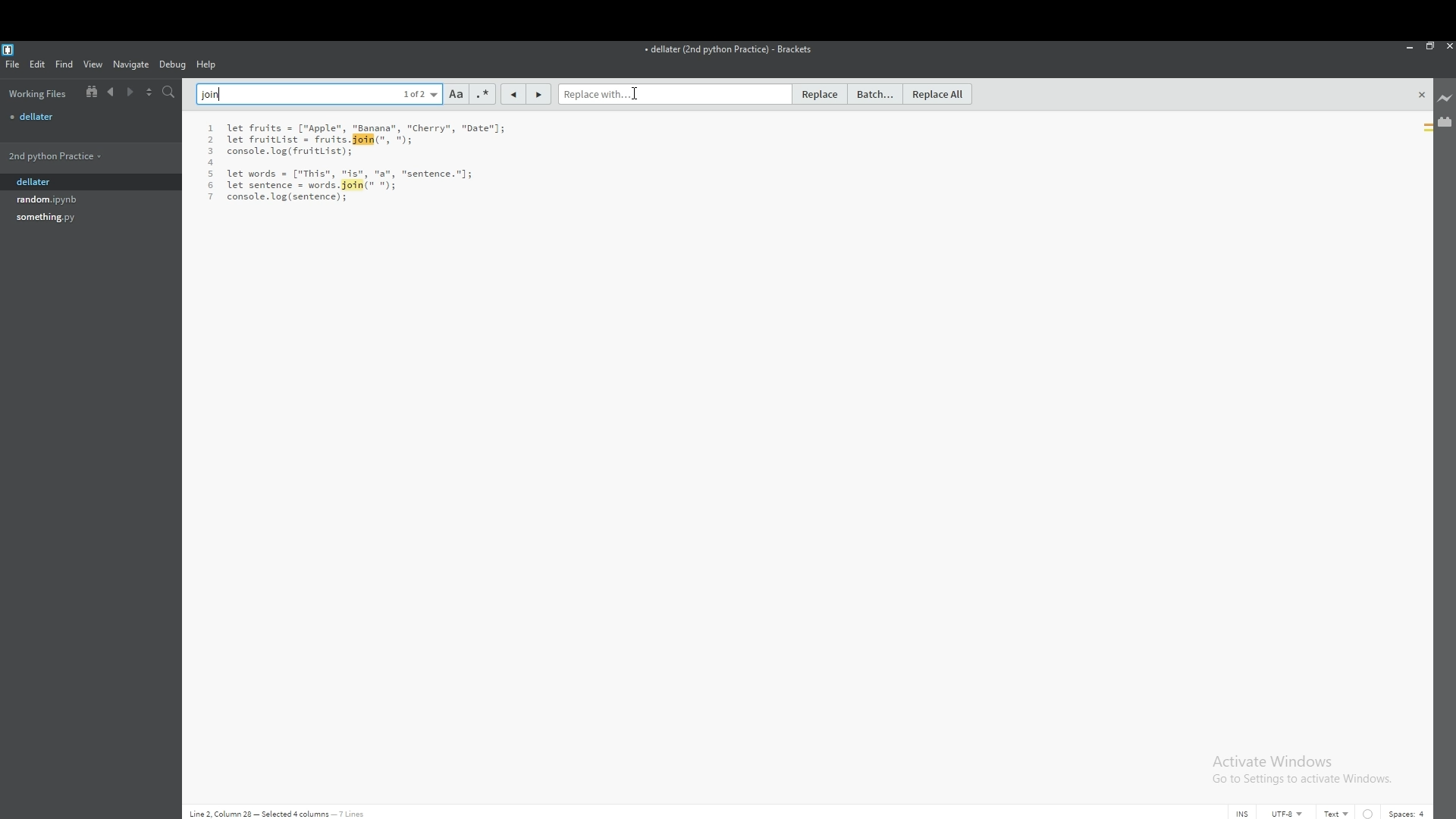 This screenshot has height=819, width=1456. I want to click on resize, so click(1429, 45).